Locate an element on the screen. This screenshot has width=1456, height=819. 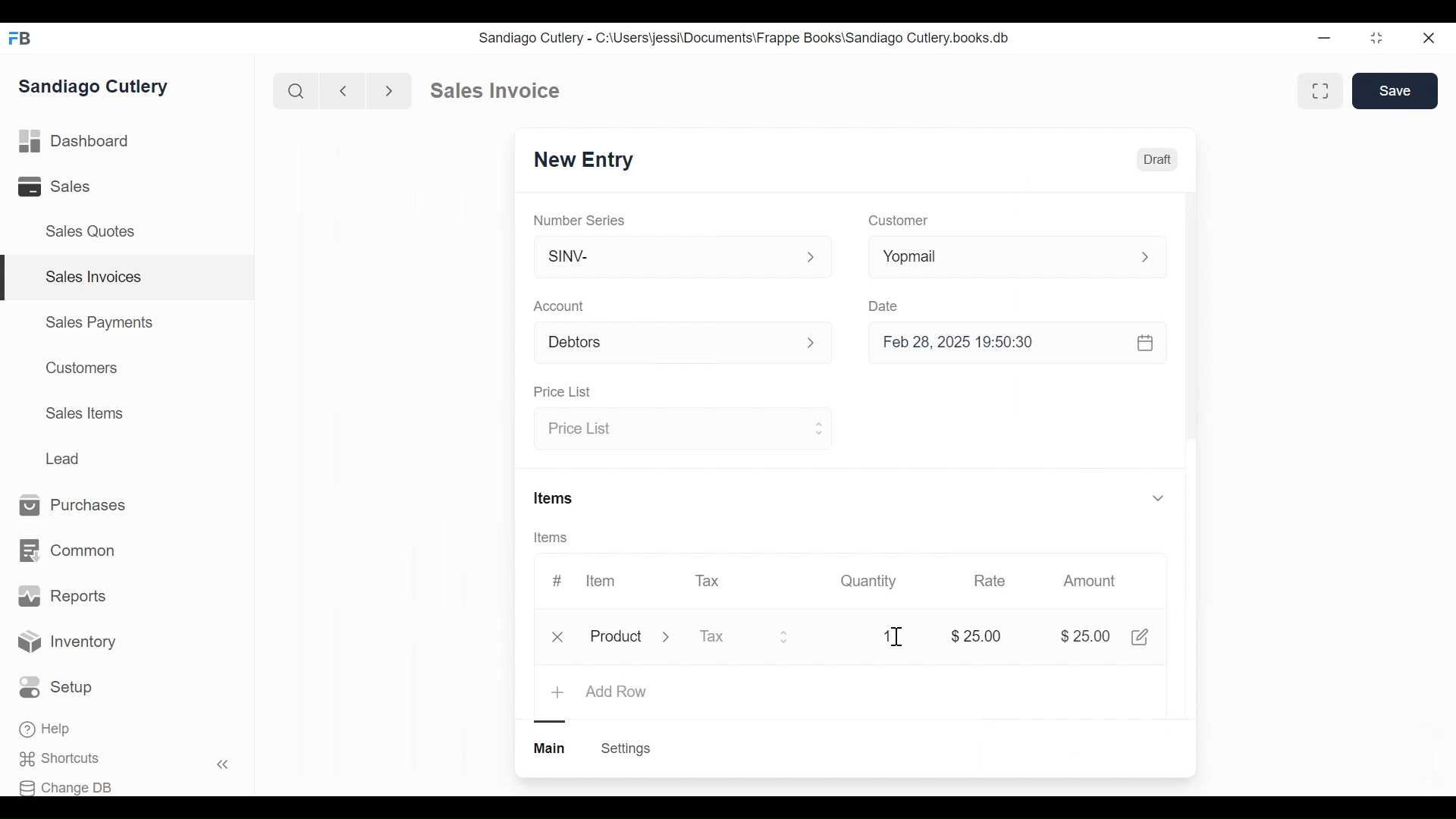
Customers is located at coordinates (78, 368).